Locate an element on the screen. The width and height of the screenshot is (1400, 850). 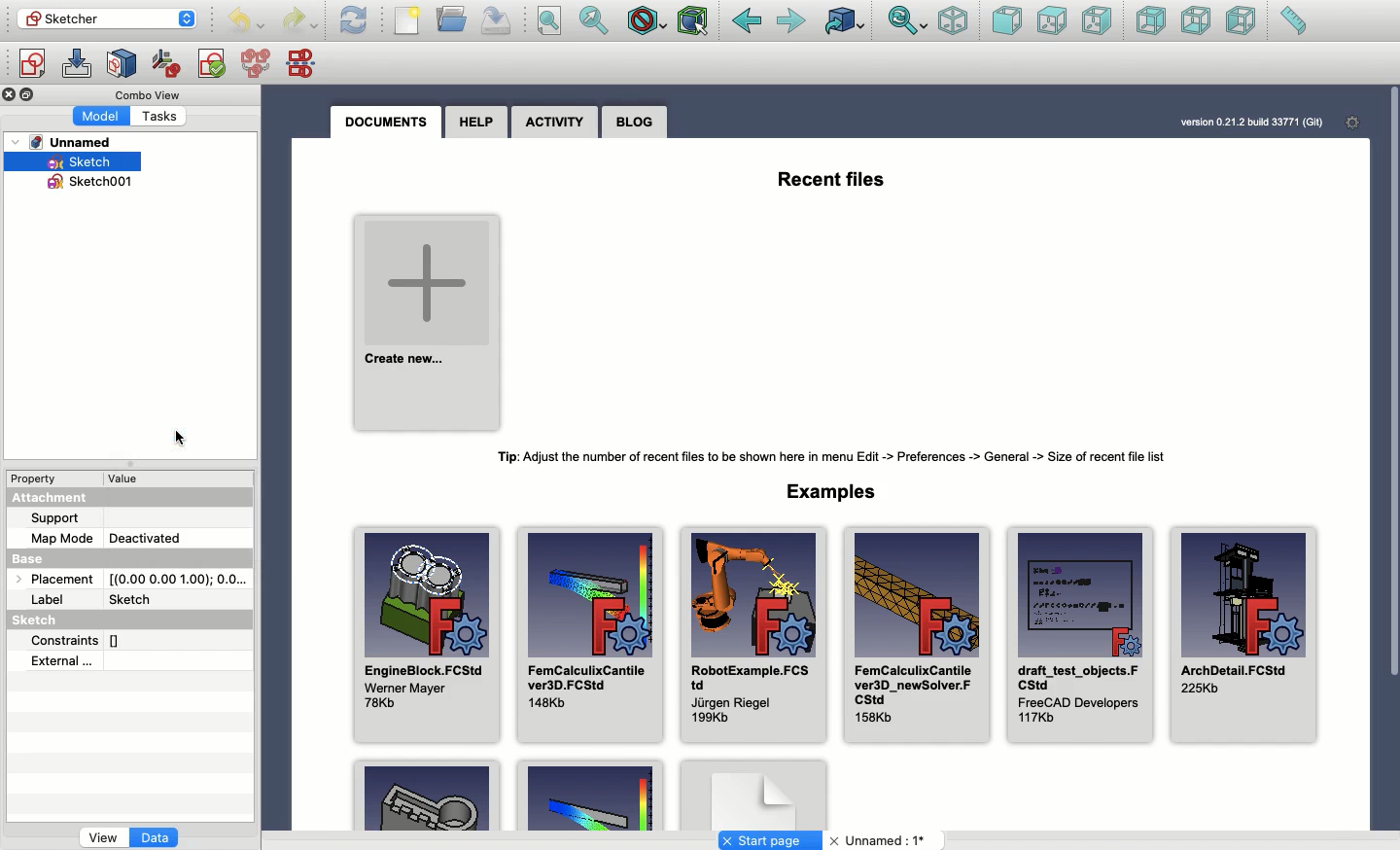
RobotExample is located at coordinates (750, 635).